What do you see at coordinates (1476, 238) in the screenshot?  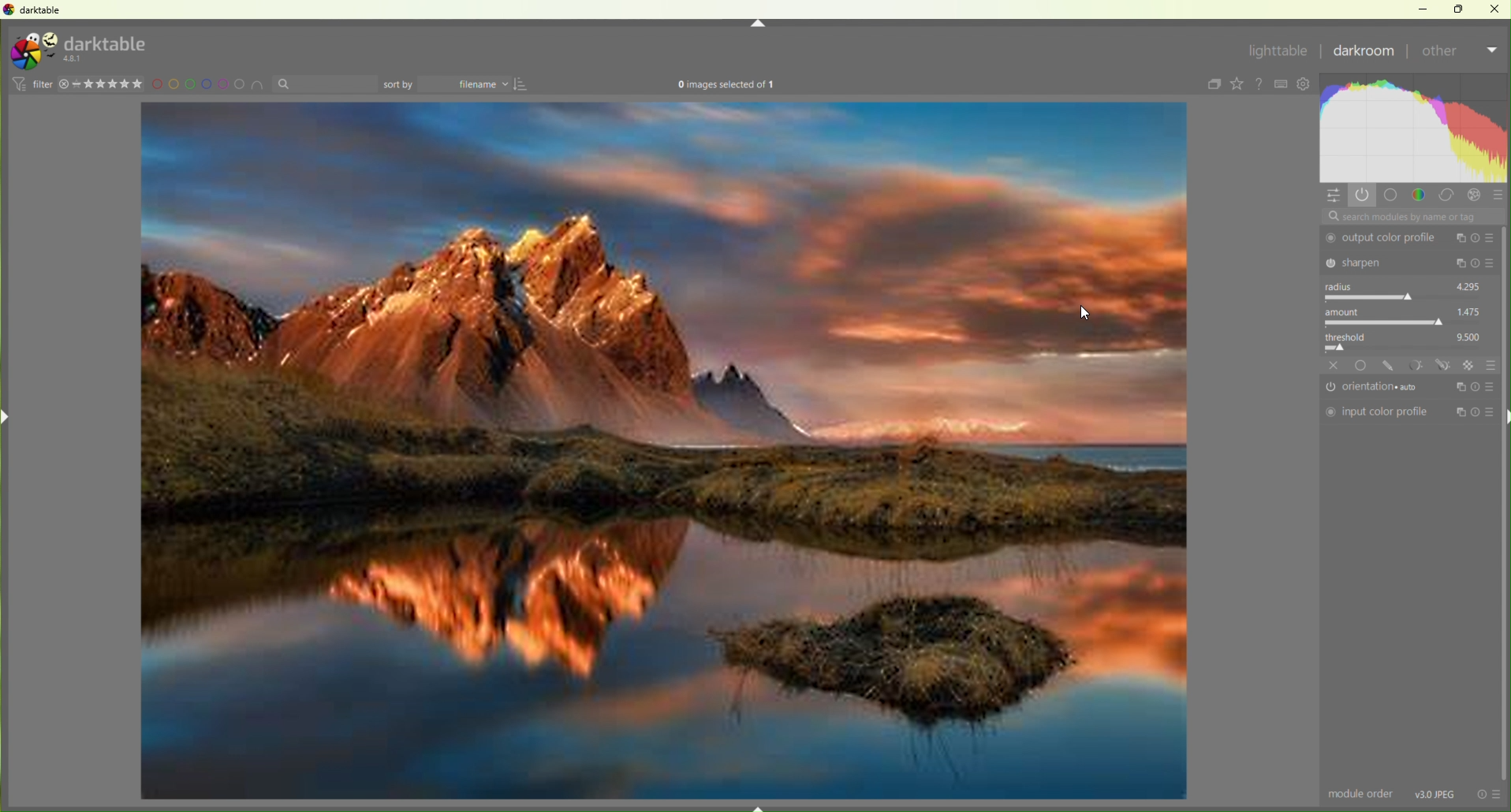 I see `copy, reset and presets` at bounding box center [1476, 238].